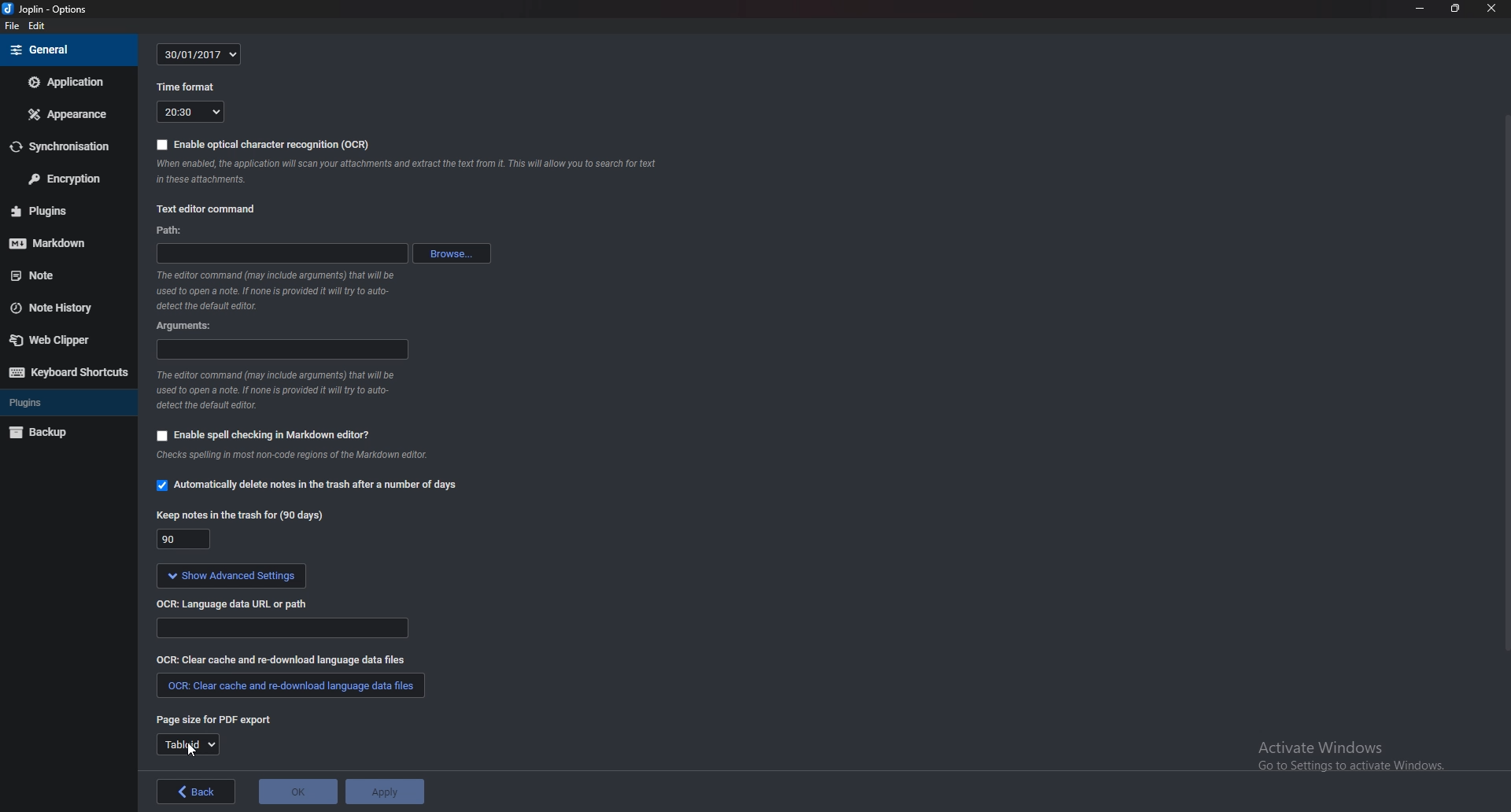 This screenshot has width=1511, height=812. I want to click on Plugins, so click(60, 404).